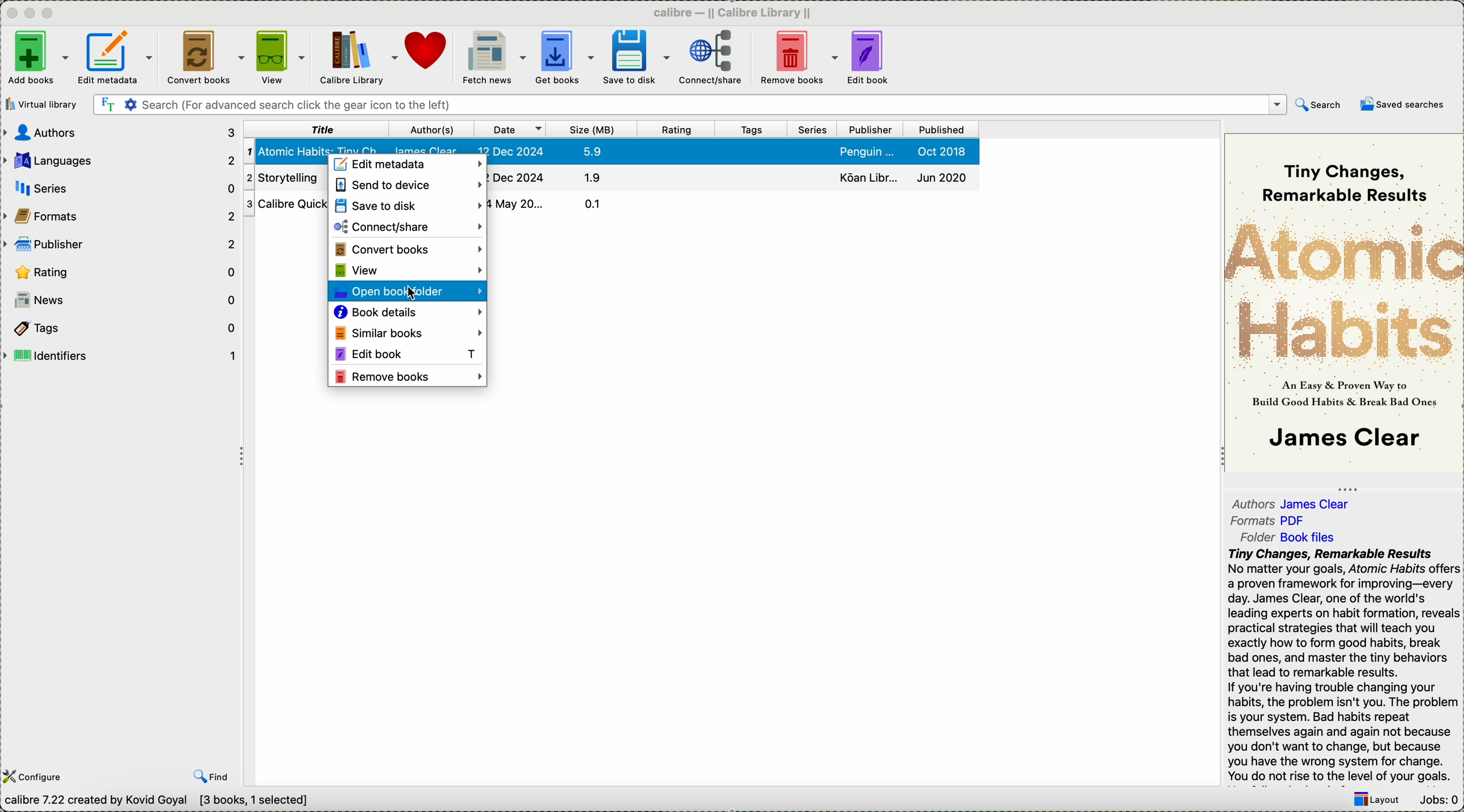 Image resolution: width=1464 pixels, height=812 pixels. Describe the element at coordinates (287, 152) in the screenshot. I see `click on first book` at that location.